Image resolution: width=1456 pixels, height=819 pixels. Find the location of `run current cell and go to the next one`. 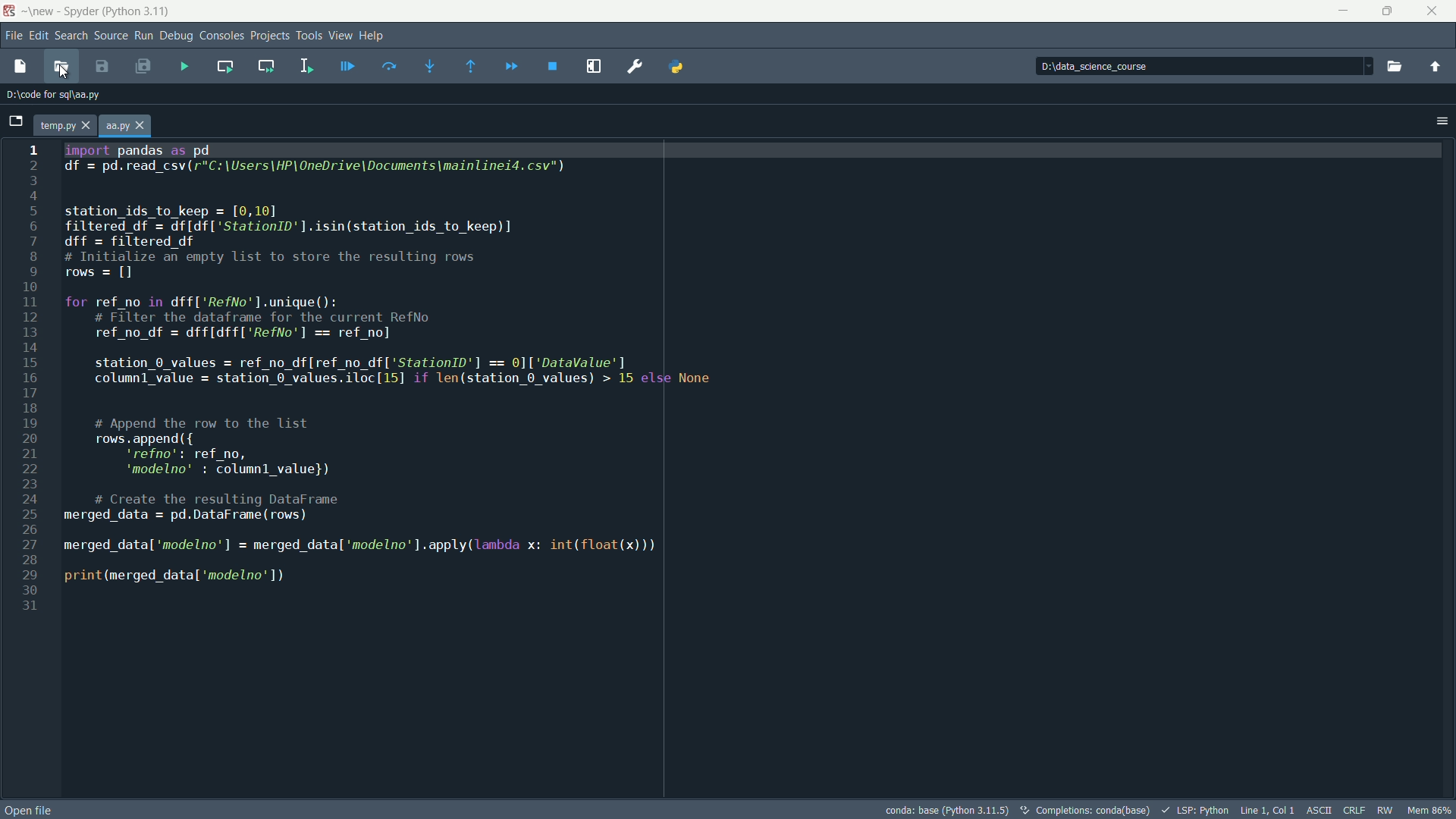

run current cell and go to the next one is located at coordinates (268, 66).